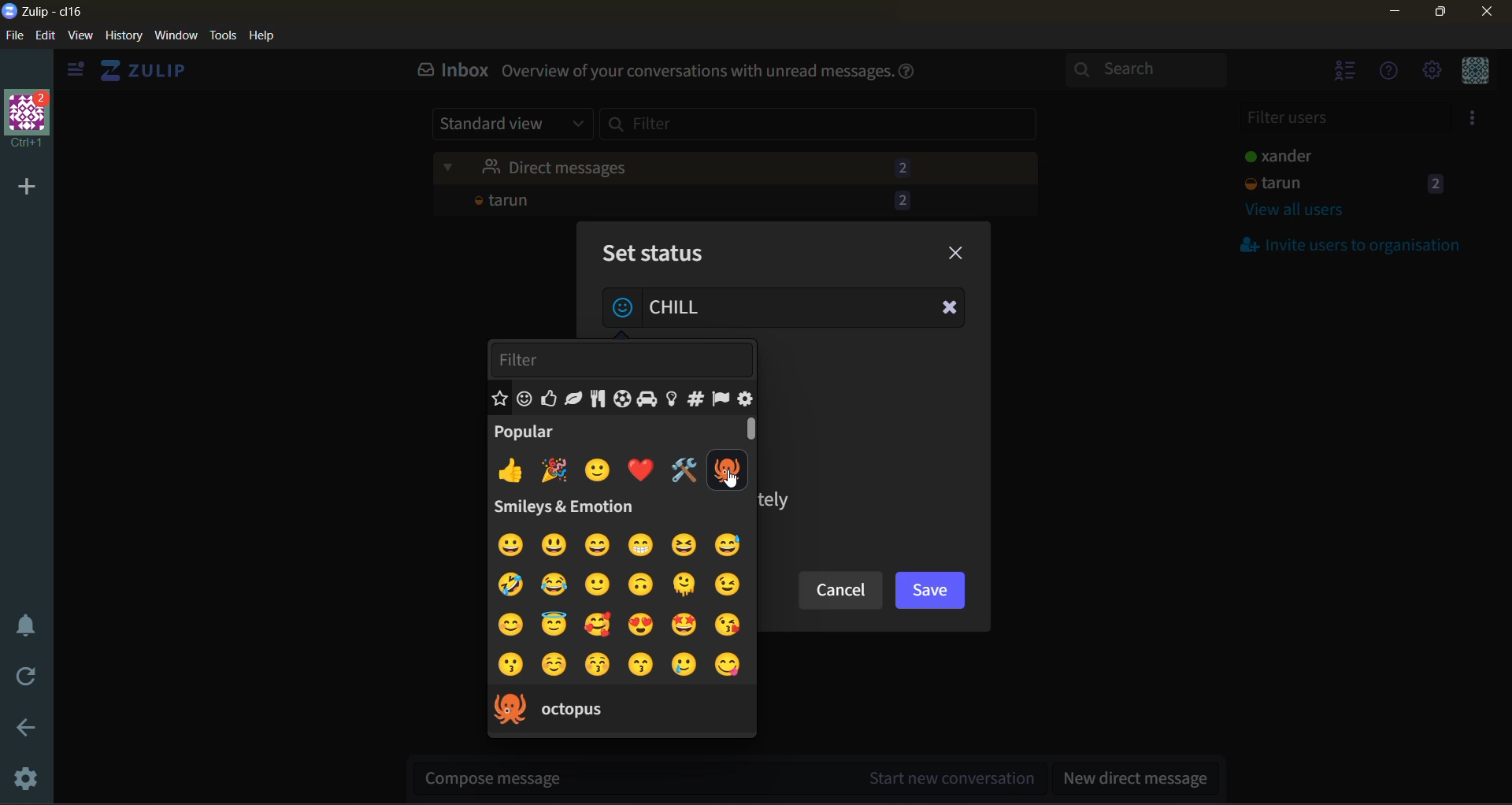  What do you see at coordinates (25, 184) in the screenshot?
I see `add a new organisation` at bounding box center [25, 184].